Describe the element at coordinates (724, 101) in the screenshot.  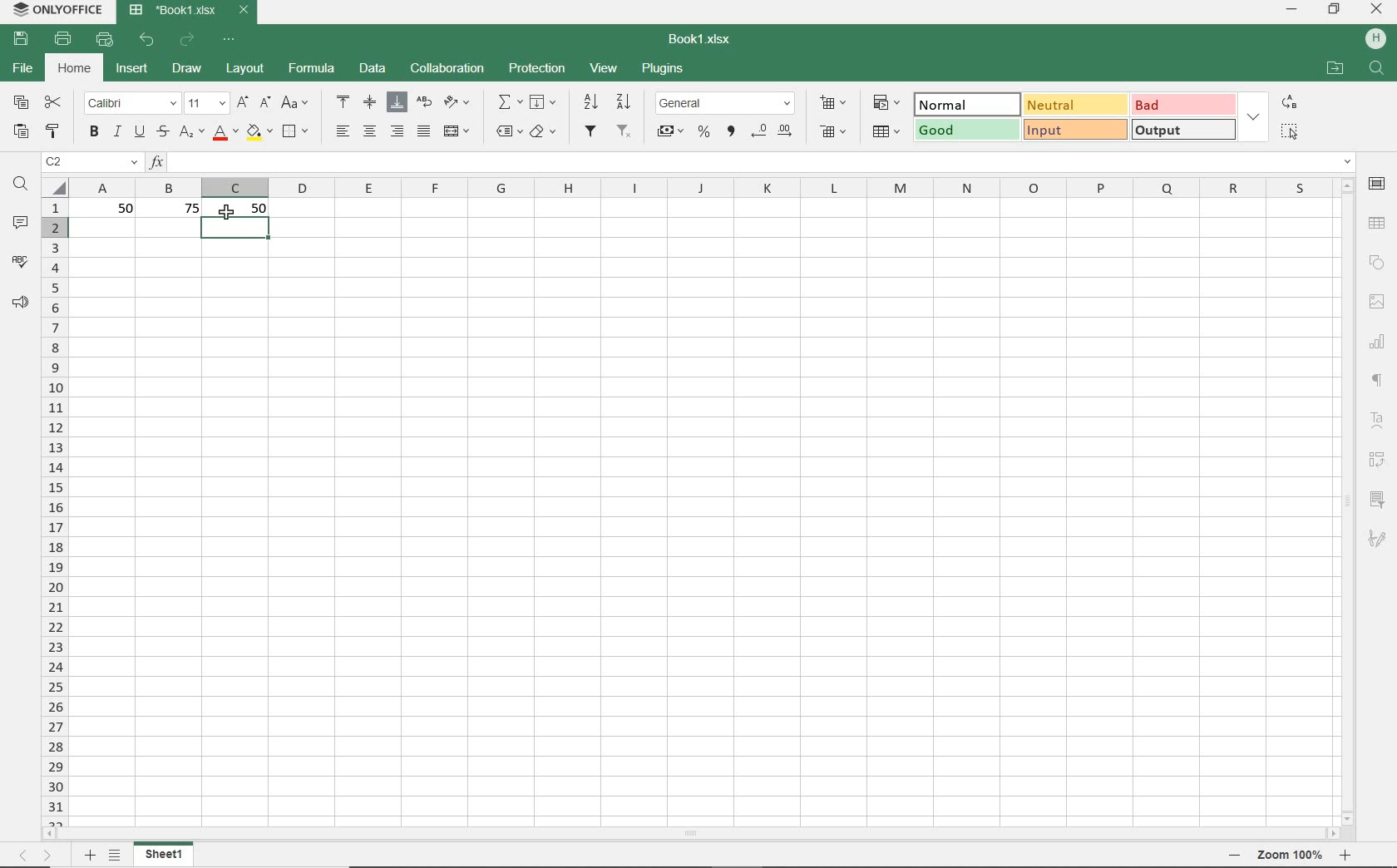
I see `number format` at that location.